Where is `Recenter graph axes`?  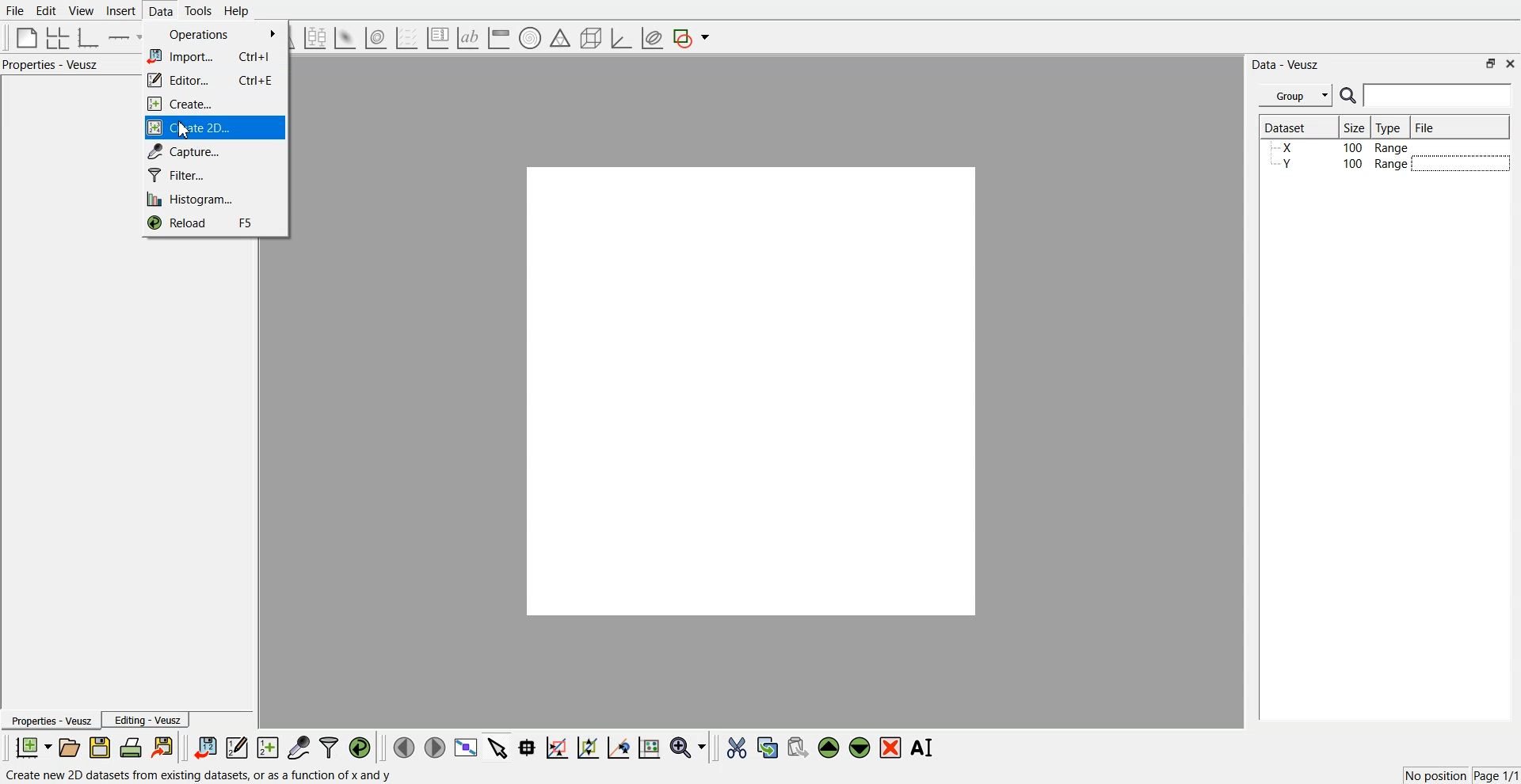
Recenter graph axes is located at coordinates (619, 747).